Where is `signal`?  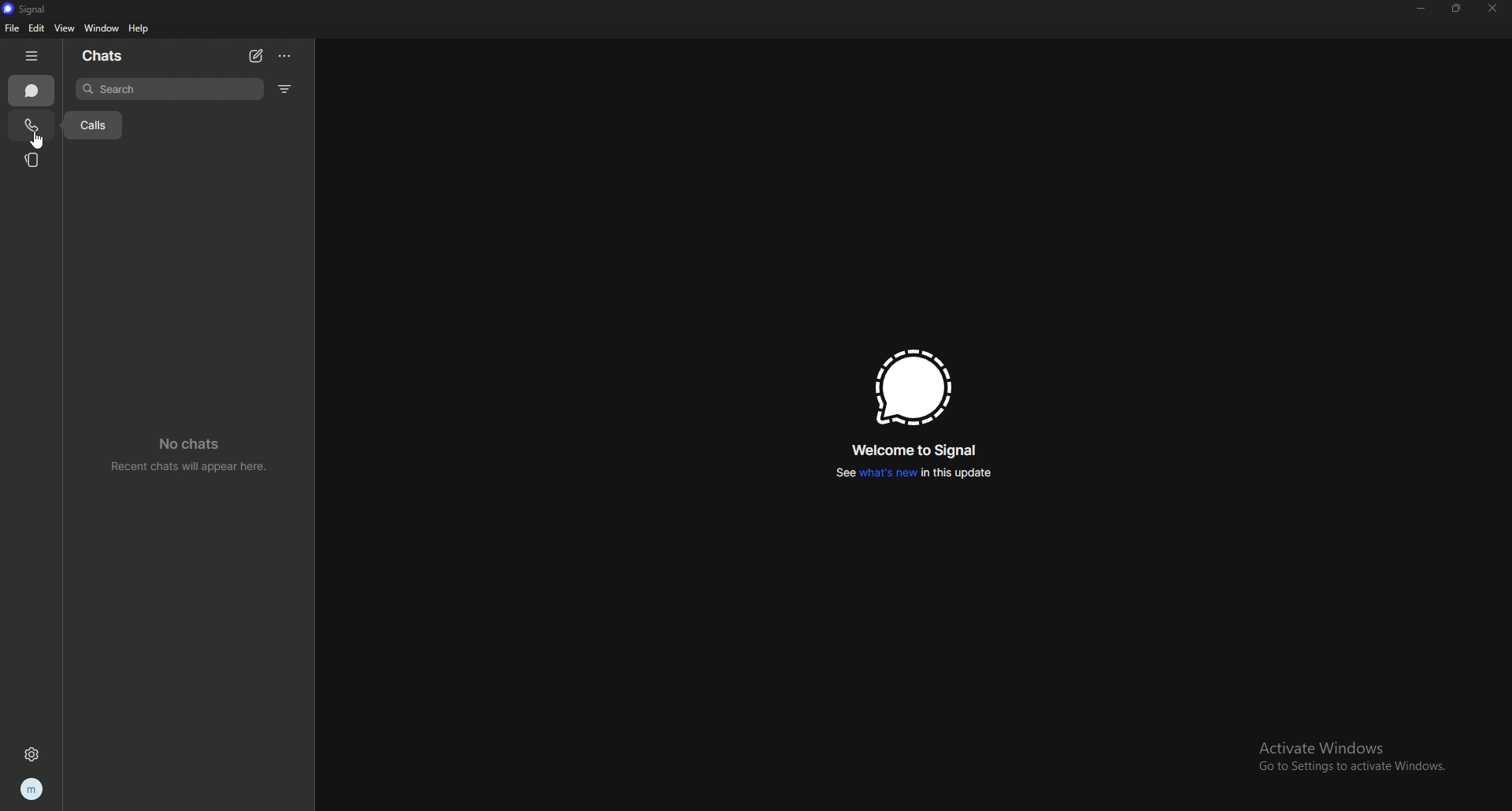 signal is located at coordinates (37, 8).